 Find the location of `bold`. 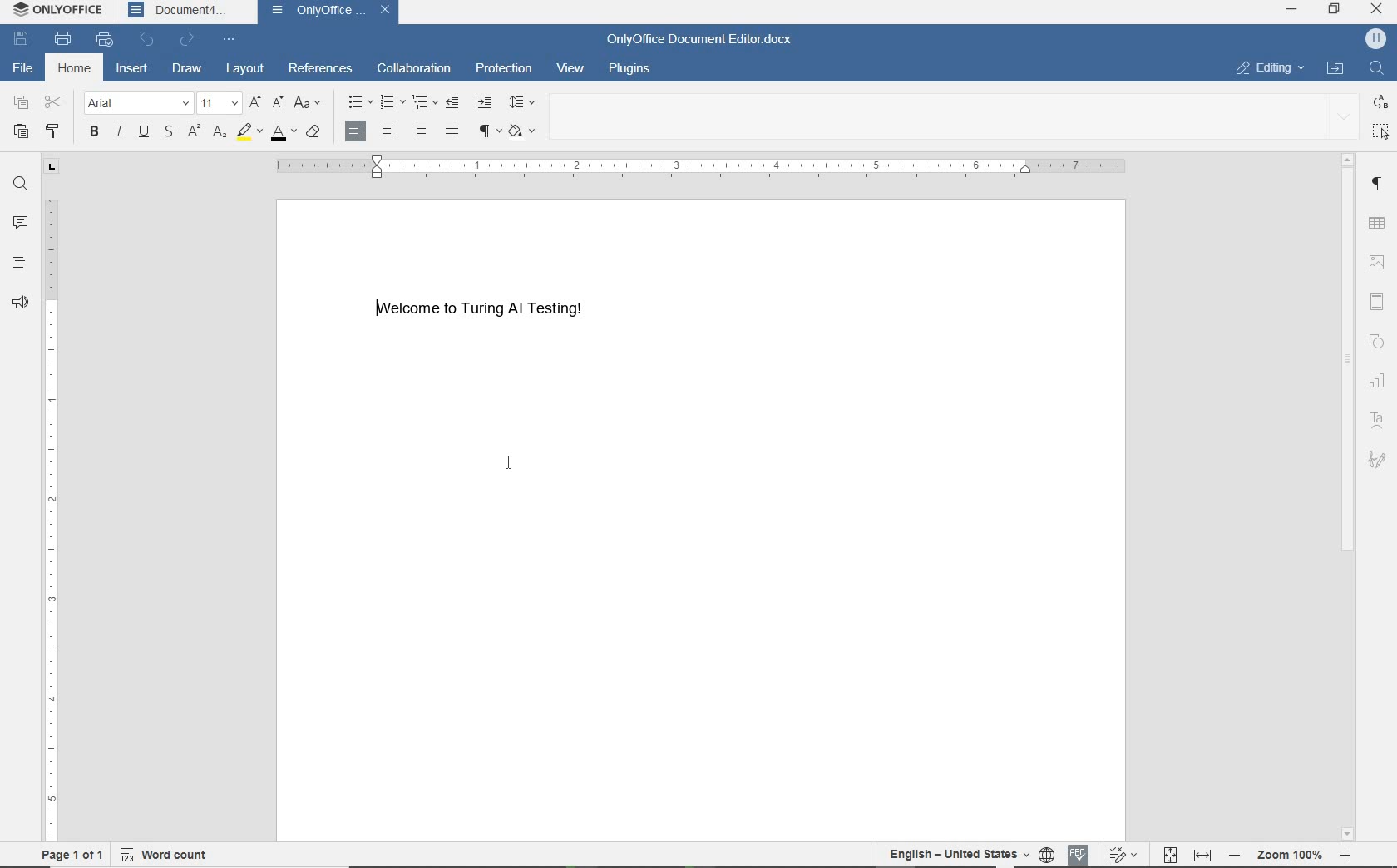

bold is located at coordinates (96, 133).